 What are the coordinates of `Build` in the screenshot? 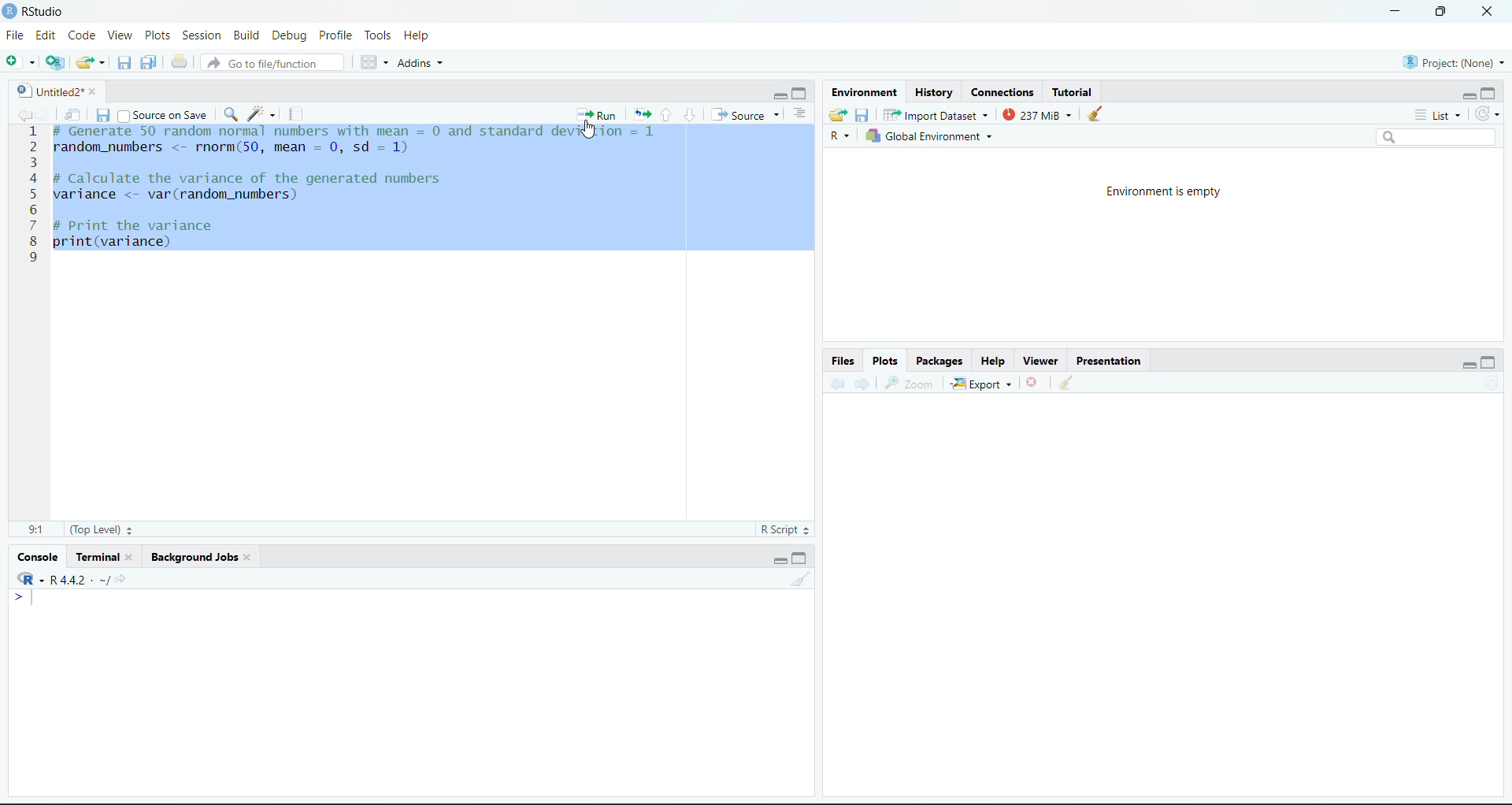 It's located at (246, 35).